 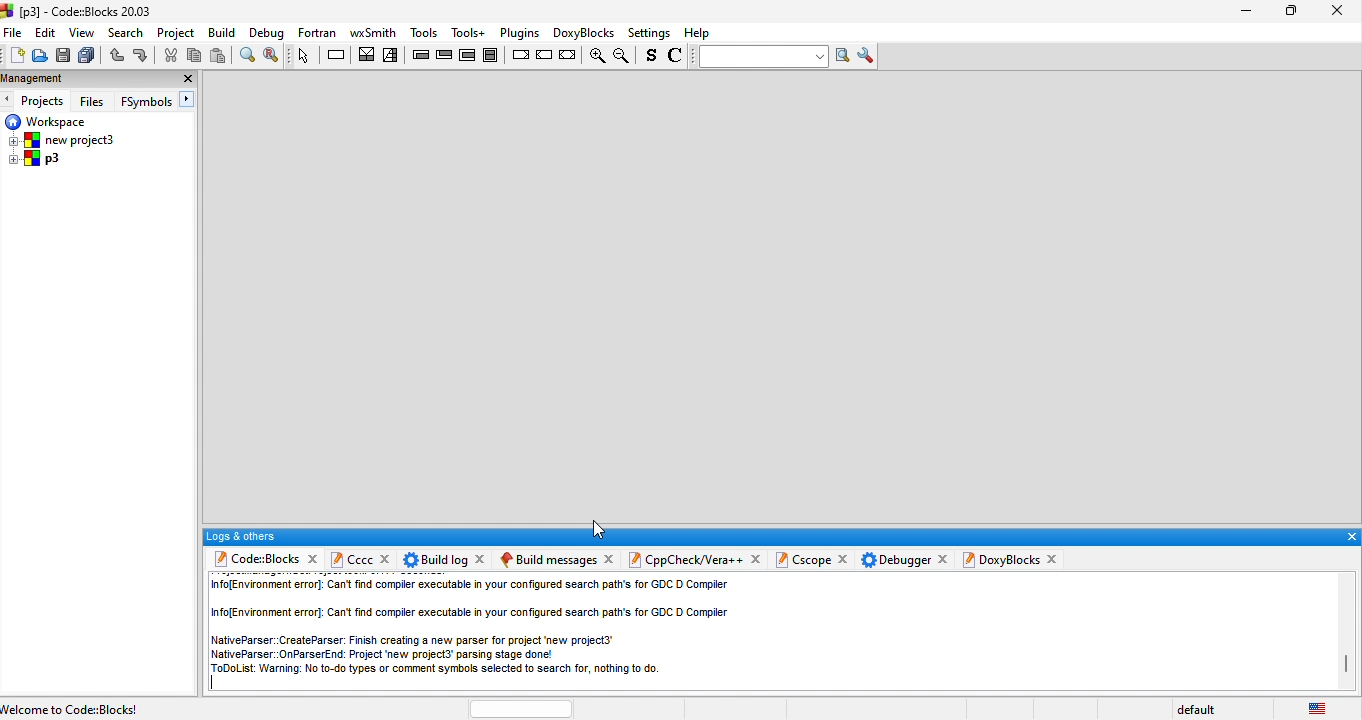 What do you see at coordinates (521, 708) in the screenshot?
I see `horizontal scroll bar` at bounding box center [521, 708].